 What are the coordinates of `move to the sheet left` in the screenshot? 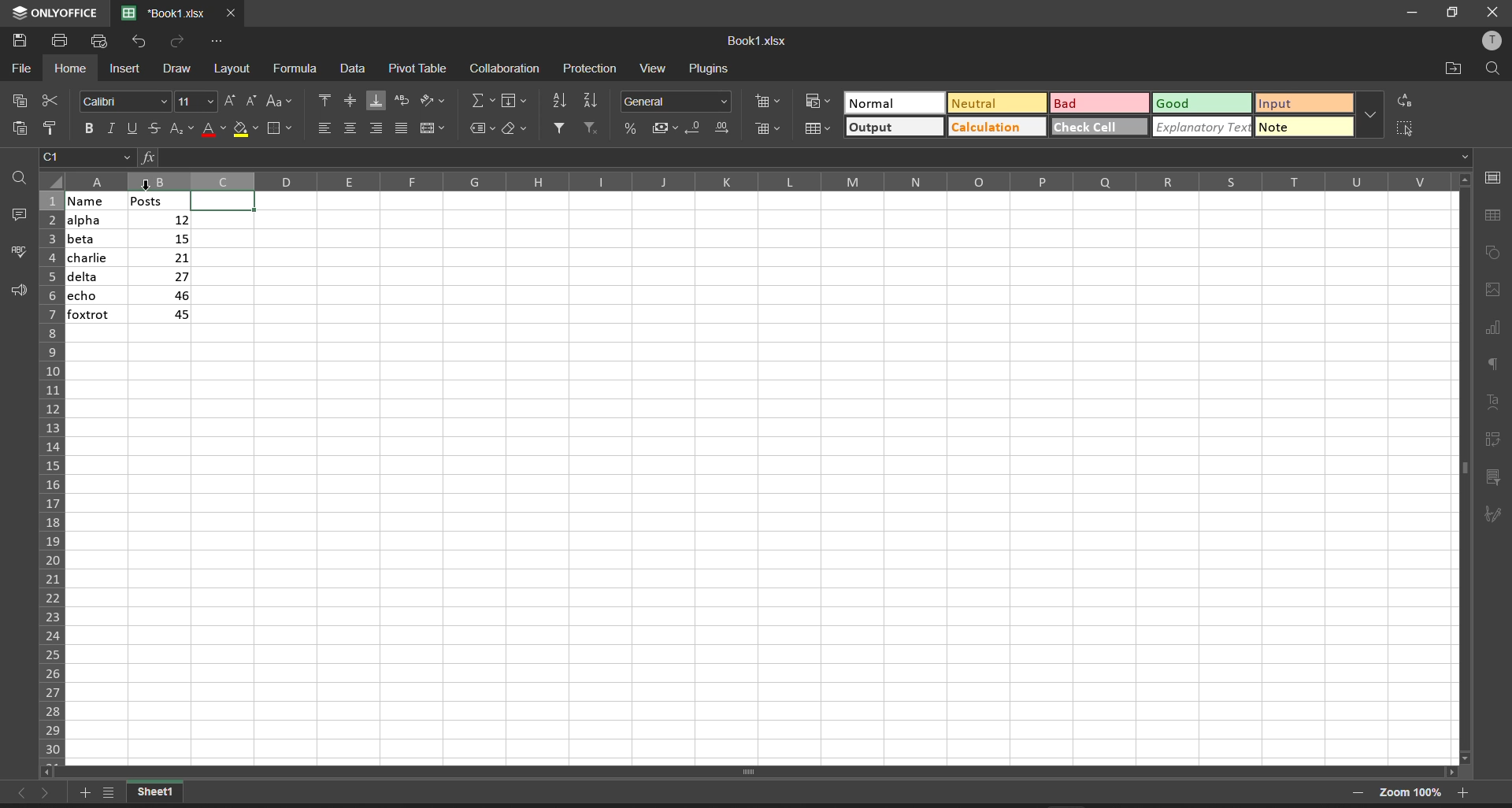 It's located at (14, 791).